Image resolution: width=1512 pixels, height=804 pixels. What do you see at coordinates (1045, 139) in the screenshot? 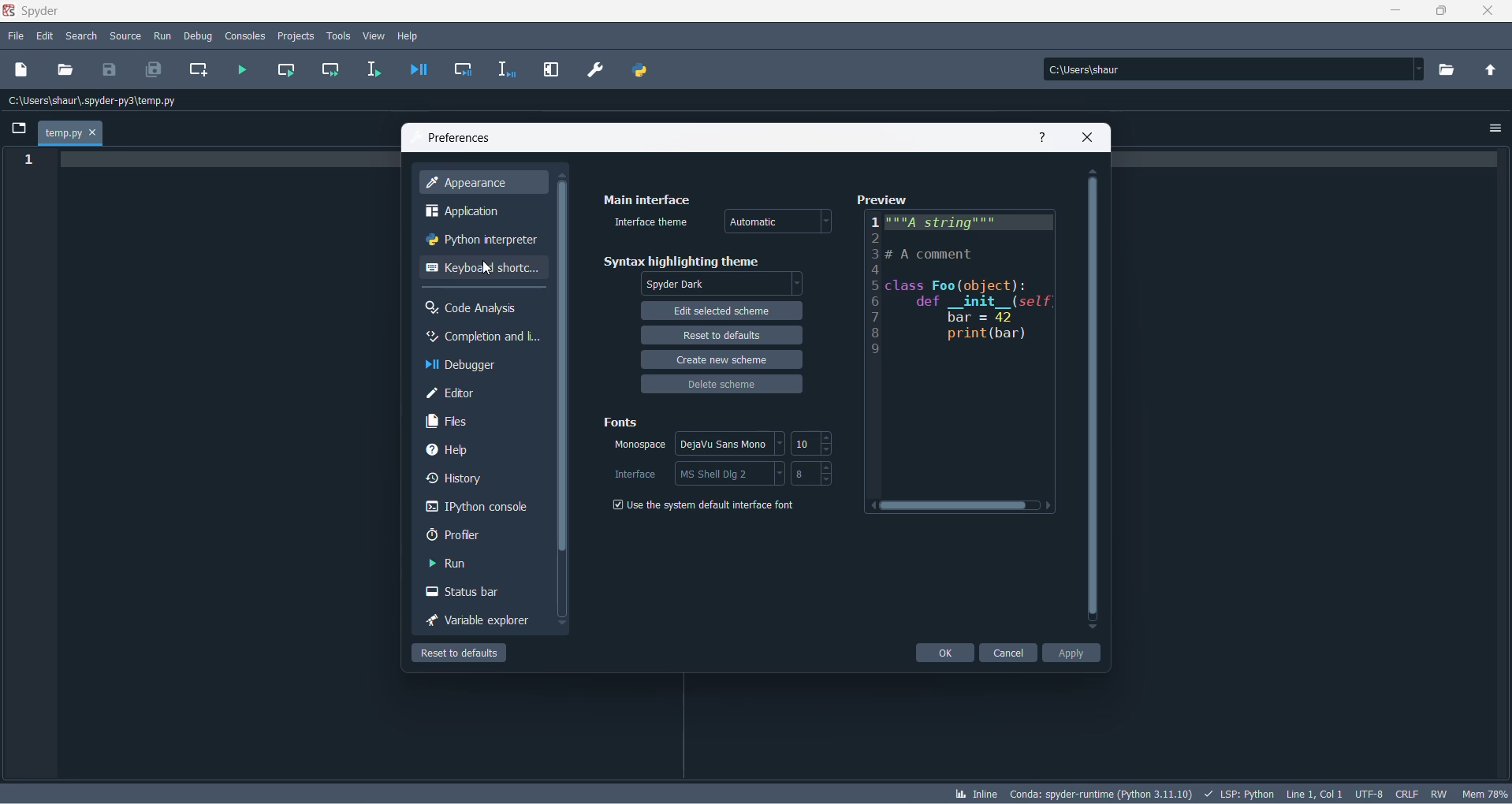
I see `help` at bounding box center [1045, 139].